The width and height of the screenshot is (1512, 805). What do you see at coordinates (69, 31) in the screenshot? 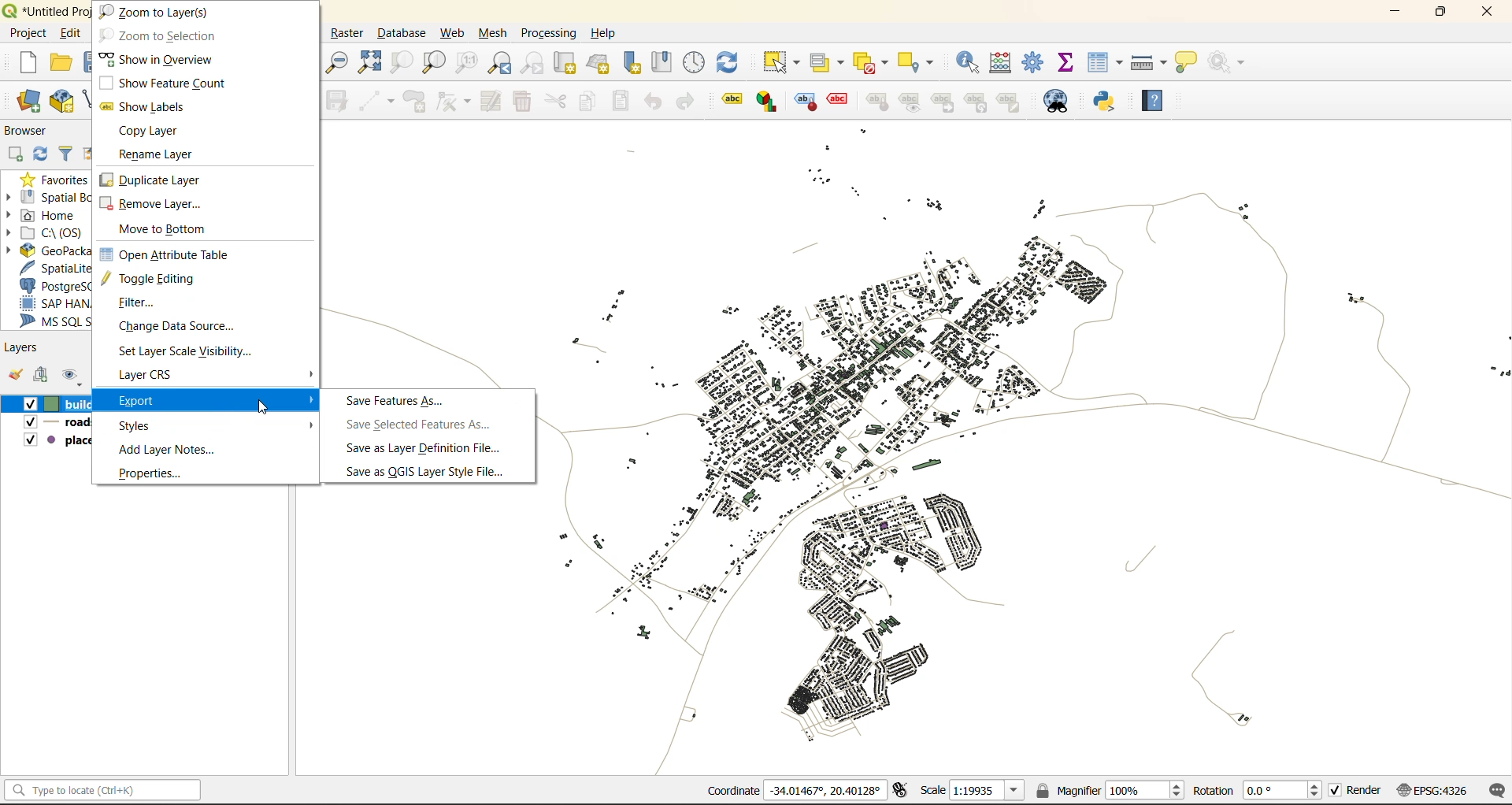
I see `Edit` at bounding box center [69, 31].